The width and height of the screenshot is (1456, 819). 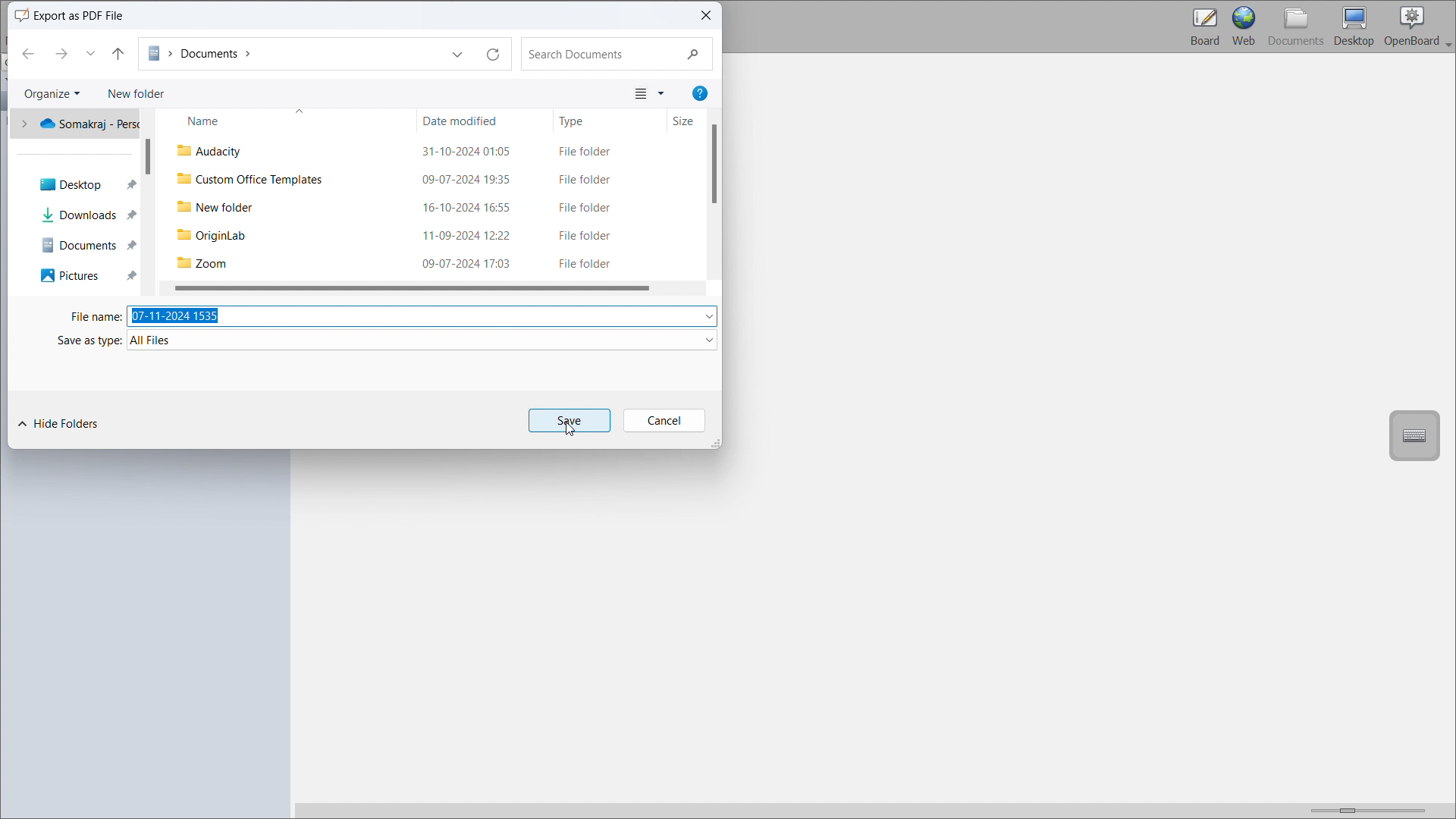 What do you see at coordinates (462, 55) in the screenshot?
I see `dropdown arrow` at bounding box center [462, 55].